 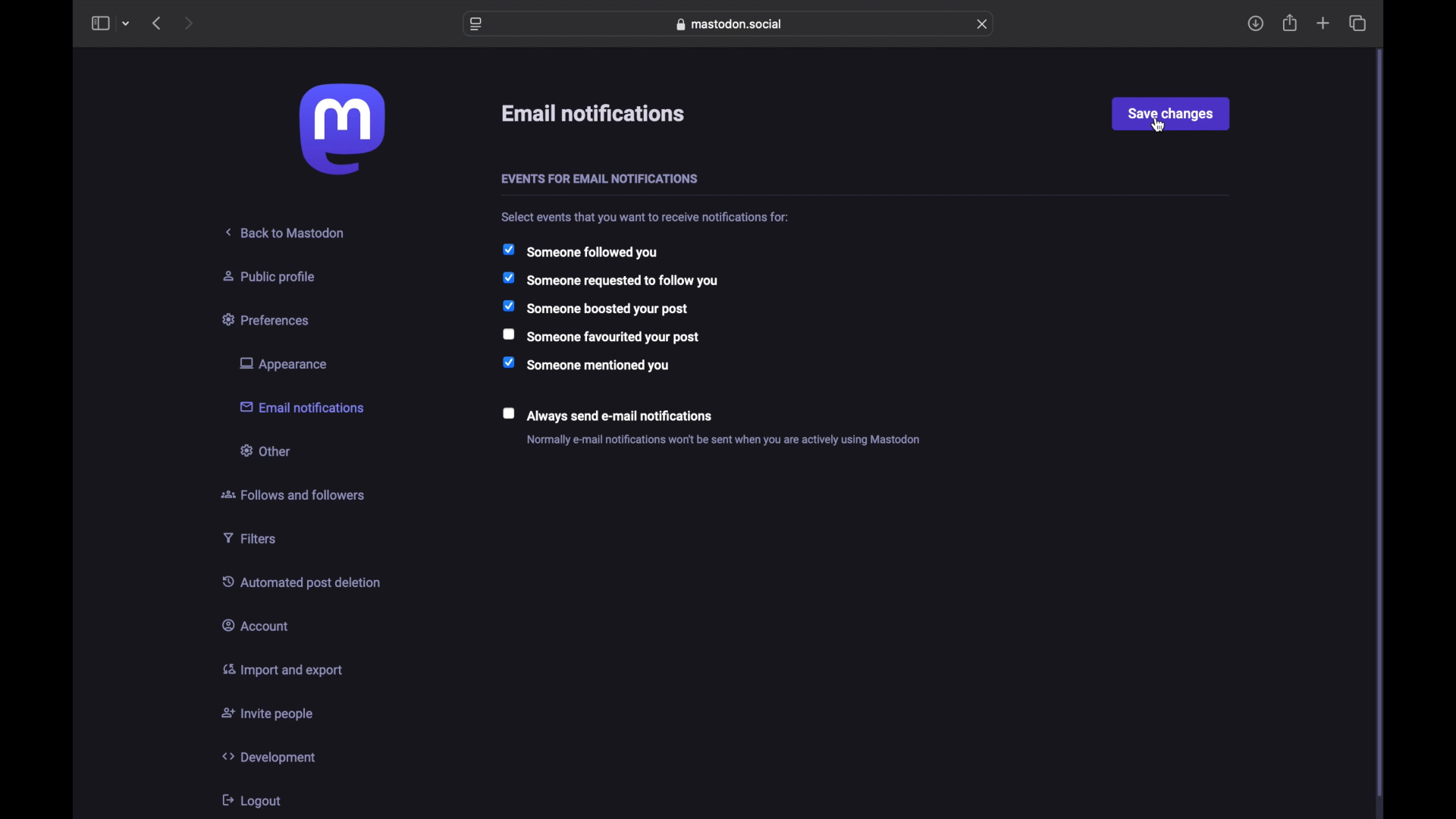 I want to click on follows and followers, so click(x=293, y=494).